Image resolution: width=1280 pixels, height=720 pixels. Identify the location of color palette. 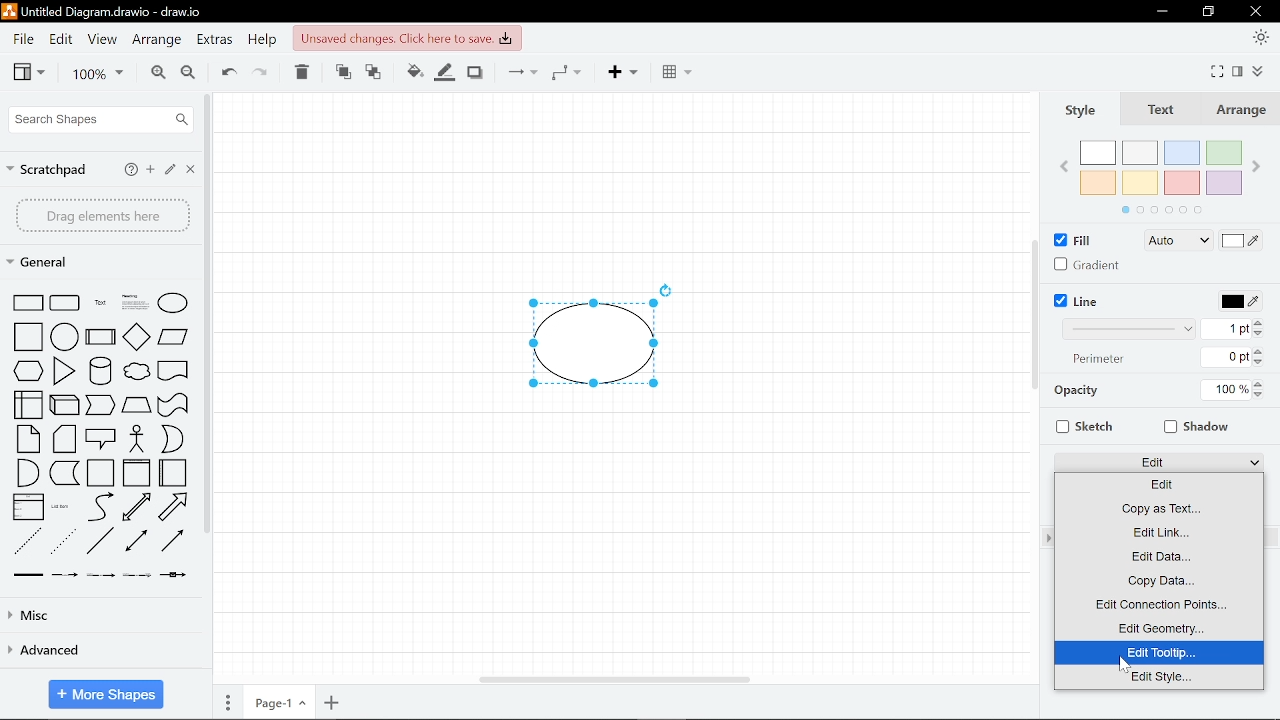
(1162, 168).